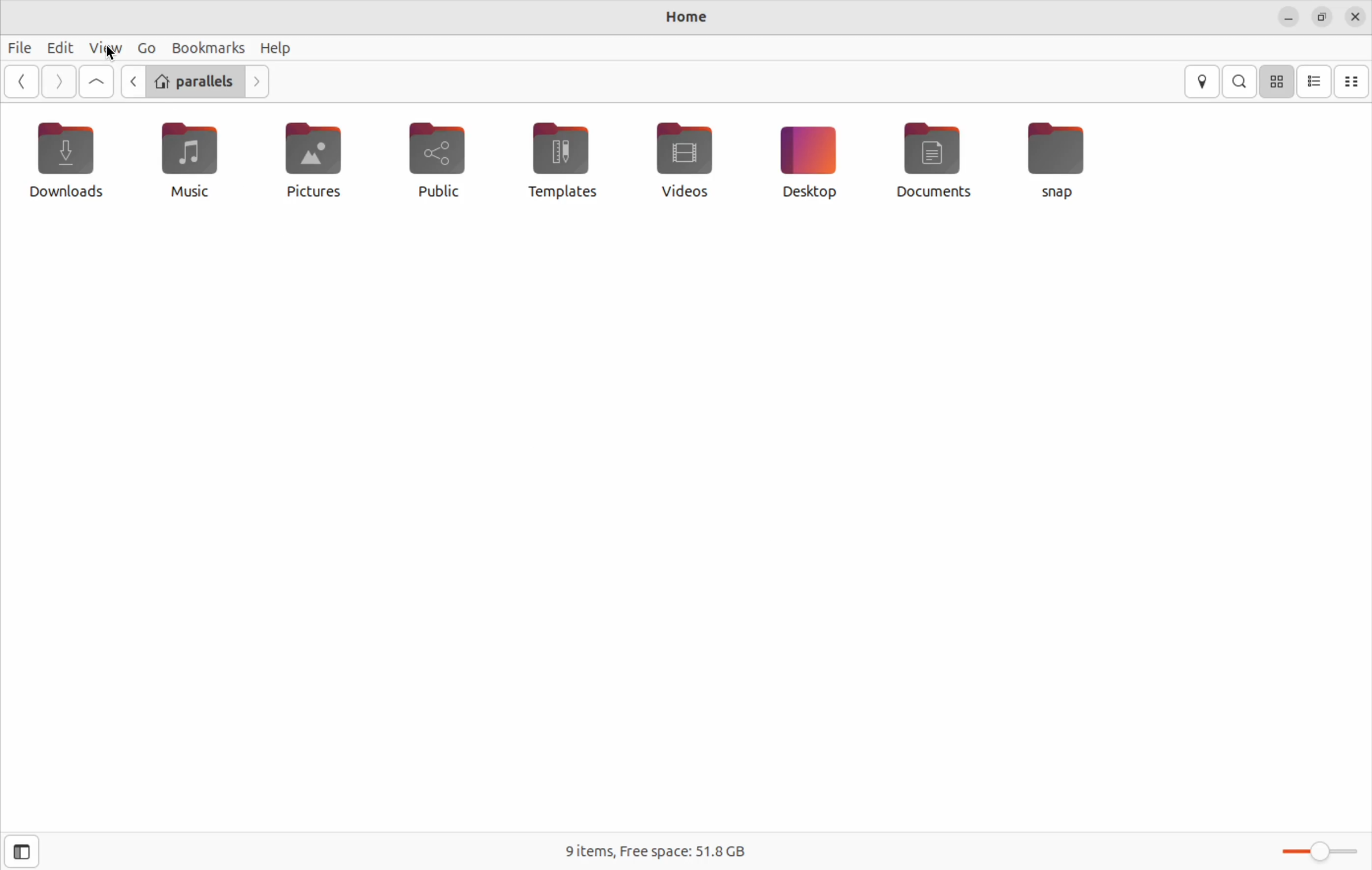  Describe the element at coordinates (1276, 83) in the screenshot. I see `icon view` at that location.